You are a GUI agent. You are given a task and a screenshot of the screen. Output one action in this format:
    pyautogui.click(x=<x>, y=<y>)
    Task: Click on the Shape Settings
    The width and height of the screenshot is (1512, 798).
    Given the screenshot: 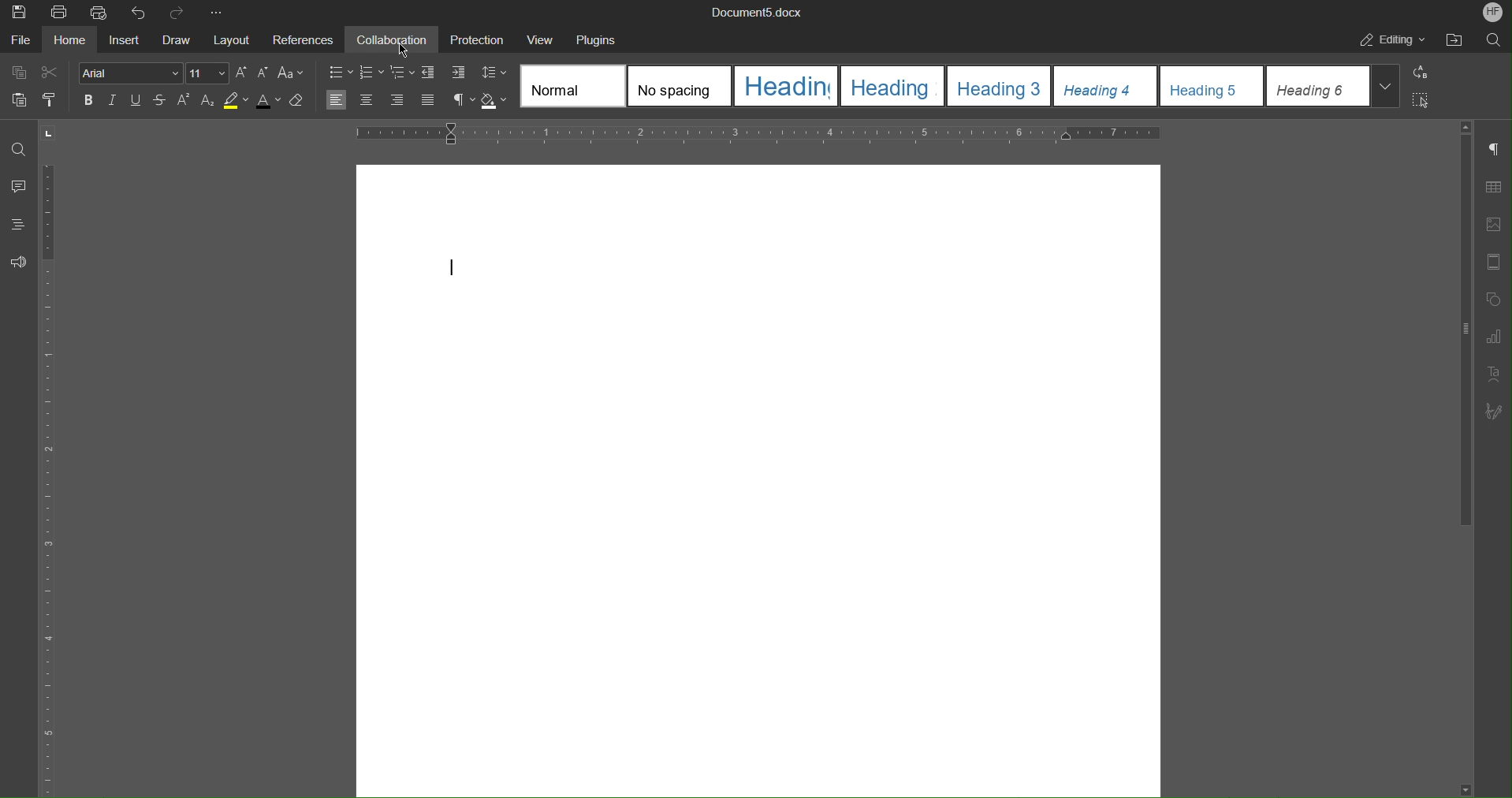 What is the action you would take?
    pyautogui.click(x=1492, y=302)
    